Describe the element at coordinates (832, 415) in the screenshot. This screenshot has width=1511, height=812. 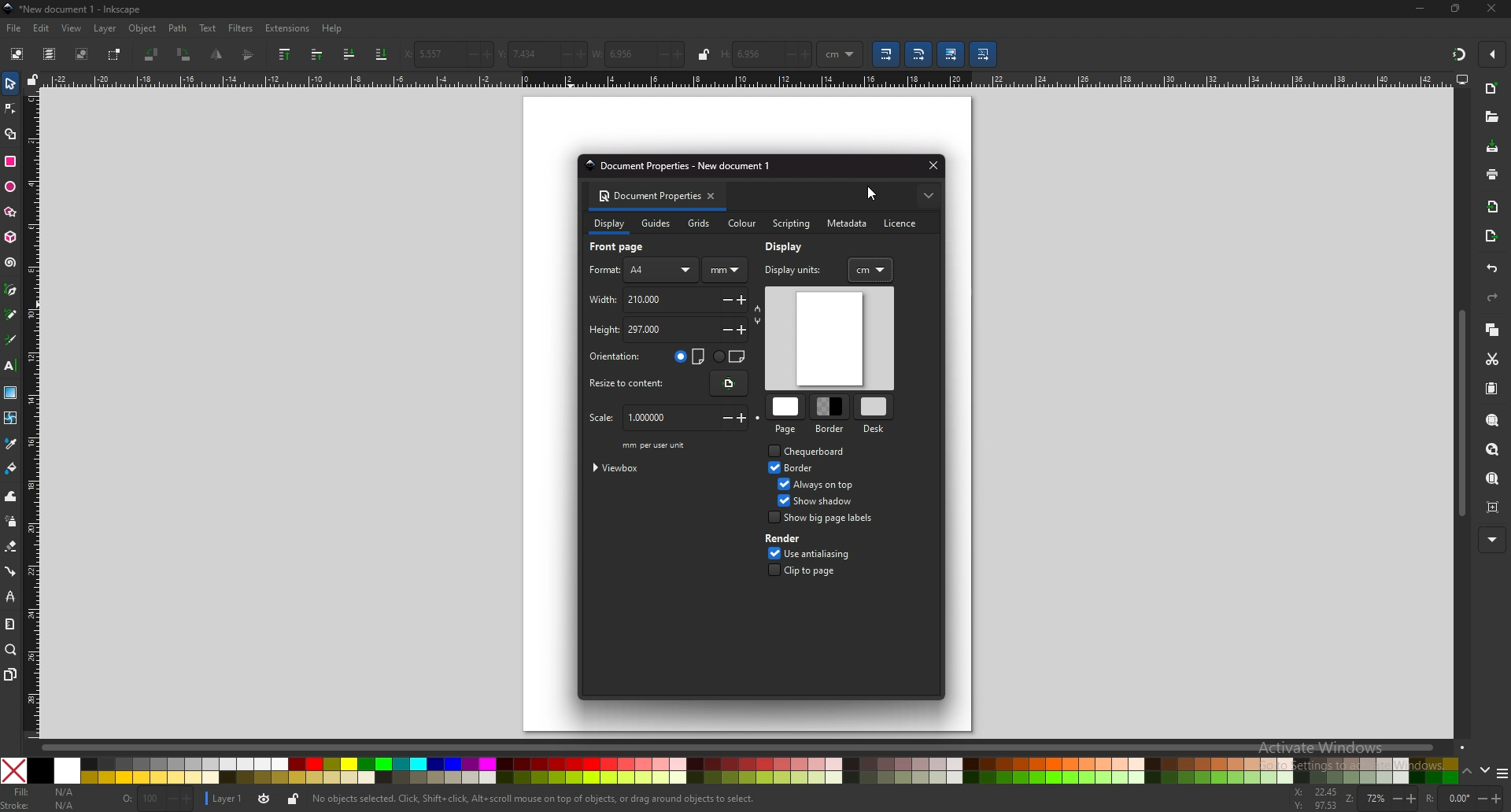
I see `border` at that location.